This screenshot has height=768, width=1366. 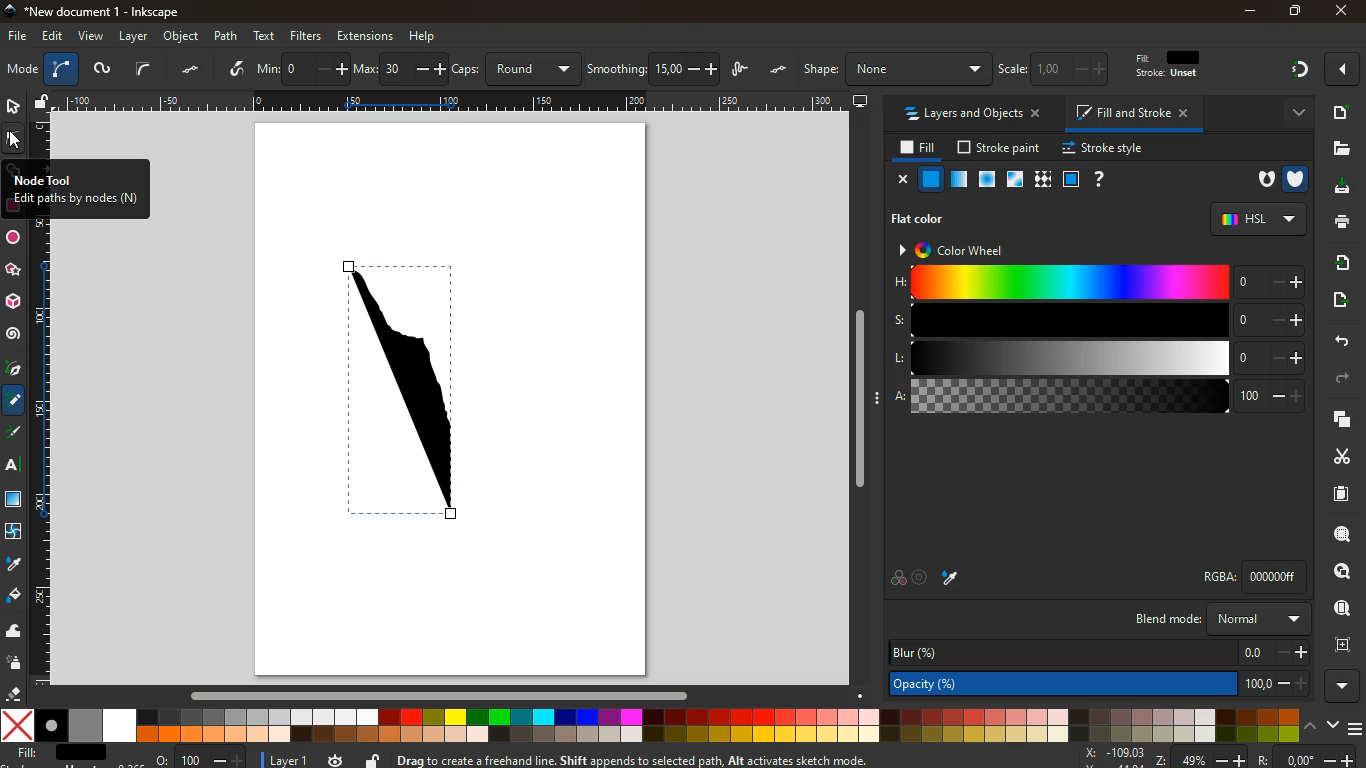 I want to click on down, so click(x=1331, y=725).